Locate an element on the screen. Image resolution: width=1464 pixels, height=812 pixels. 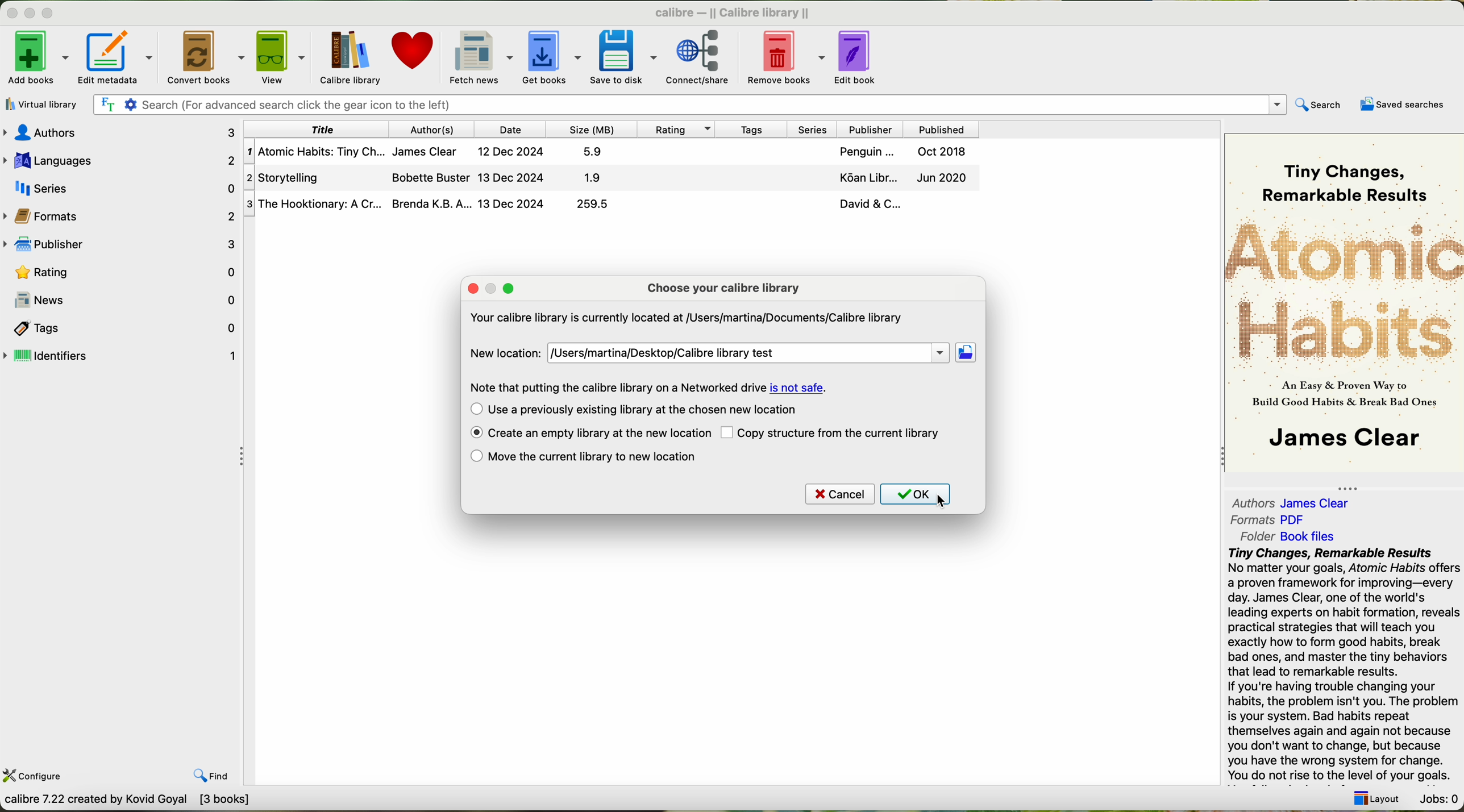
As Easy & Proven Way toBuild Good Habits & Break Bad Ones is located at coordinates (1338, 395).